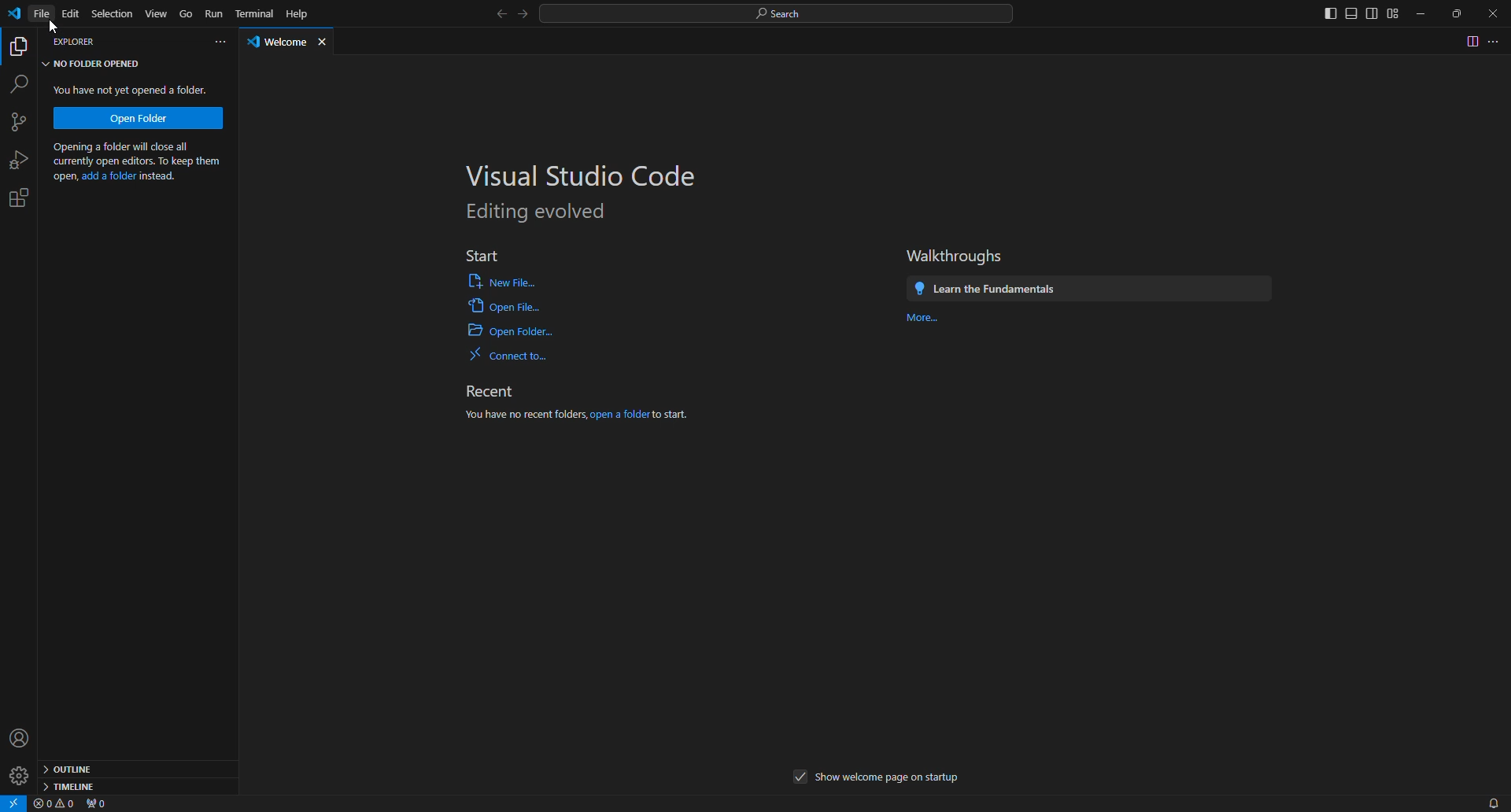 This screenshot has height=812, width=1511. I want to click on open a folder, so click(619, 415).